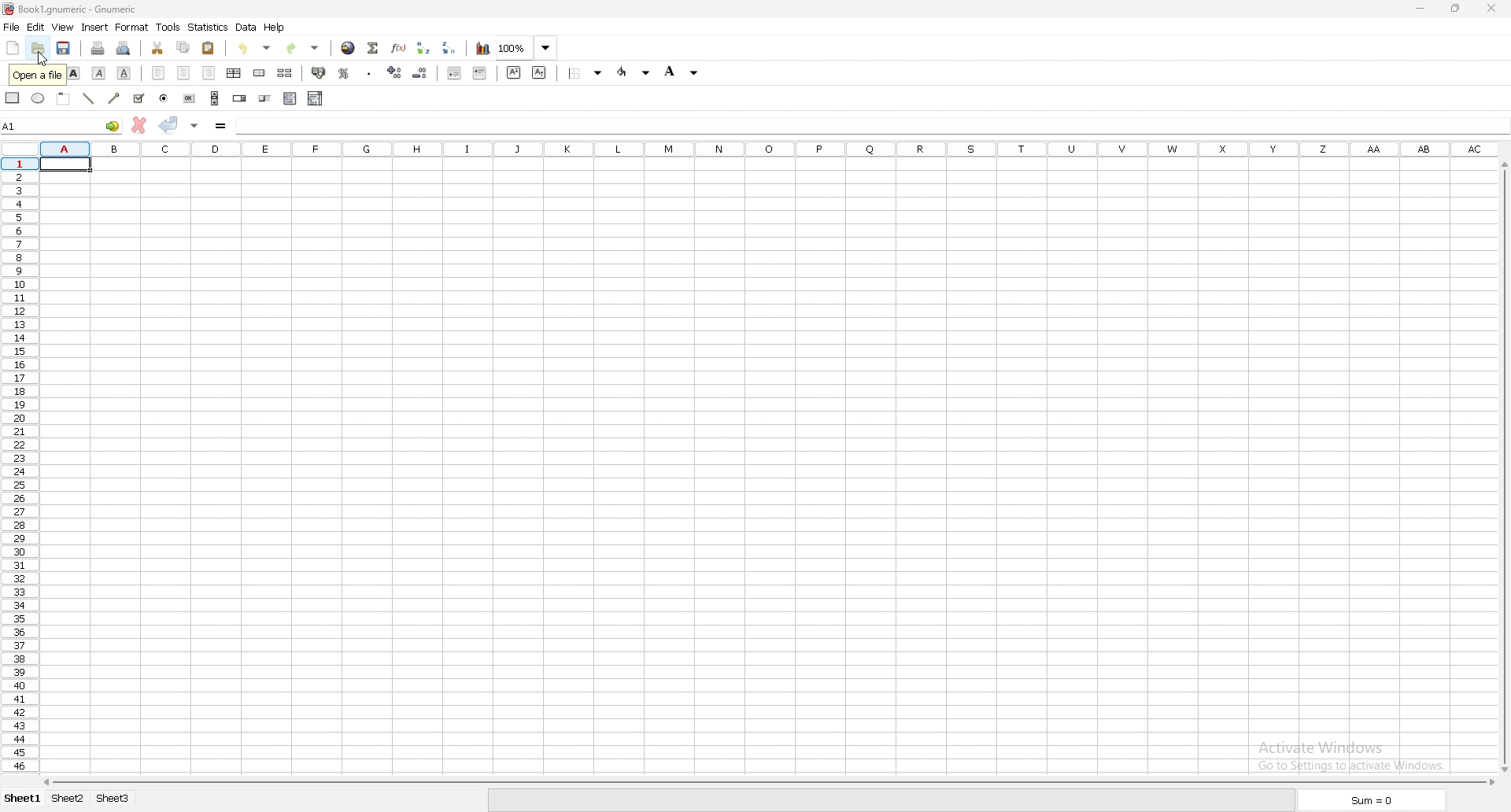  Describe the element at coordinates (526, 49) in the screenshot. I see `zoom` at that location.